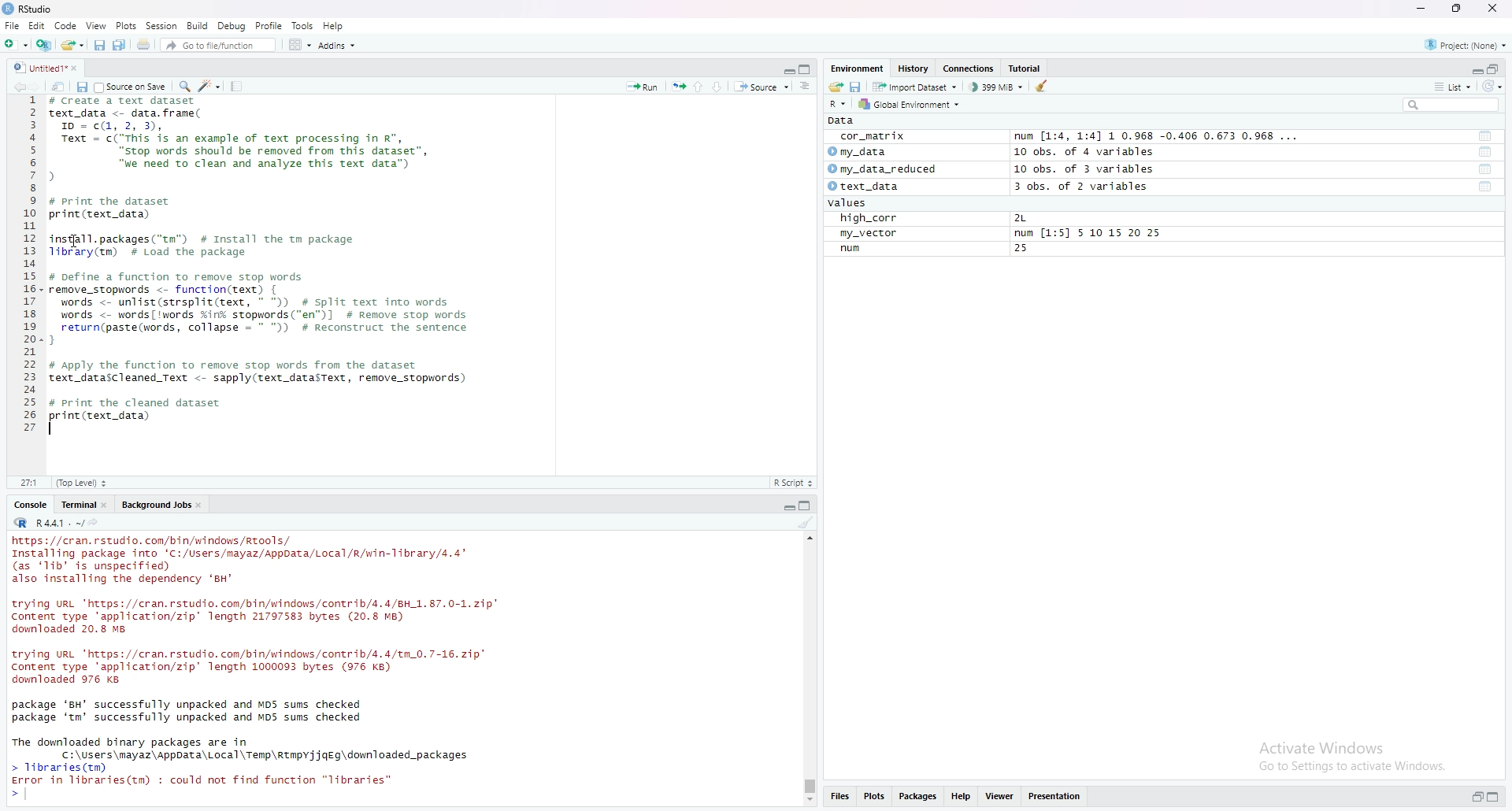 The width and height of the screenshot is (1512, 811). What do you see at coordinates (916, 87) in the screenshot?
I see `import dataset` at bounding box center [916, 87].